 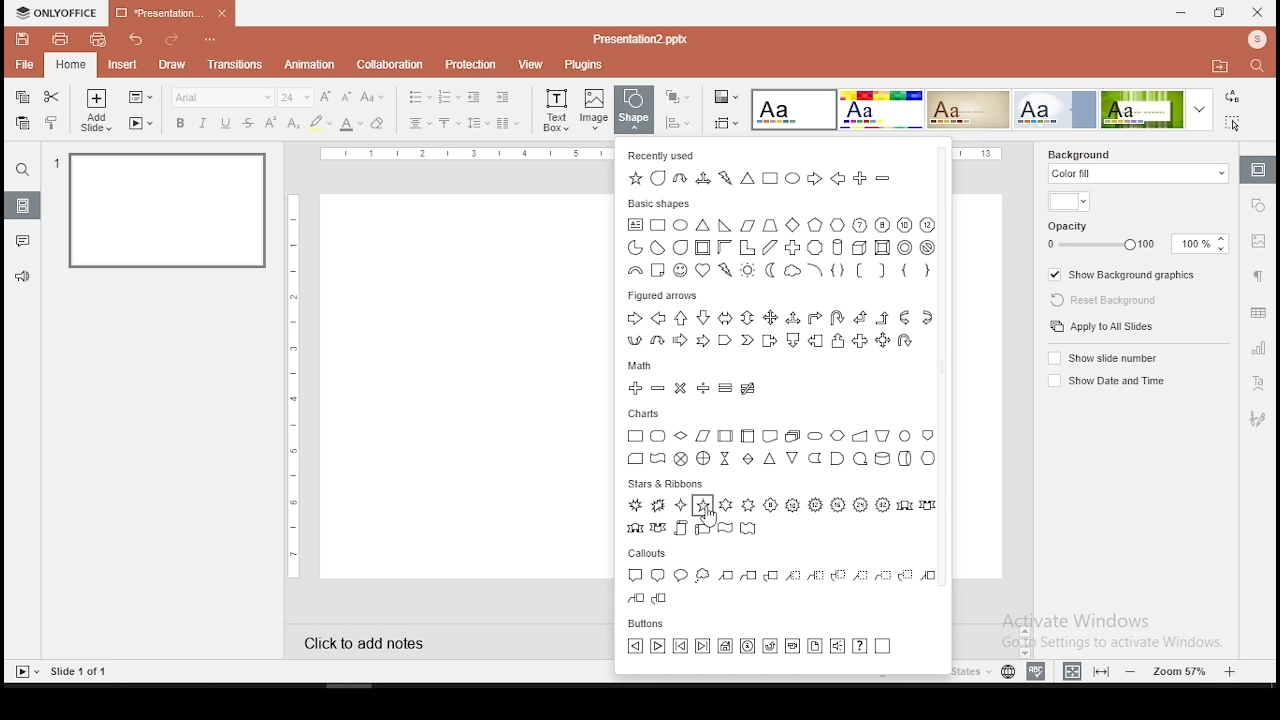 What do you see at coordinates (351, 124) in the screenshot?
I see `font color` at bounding box center [351, 124].